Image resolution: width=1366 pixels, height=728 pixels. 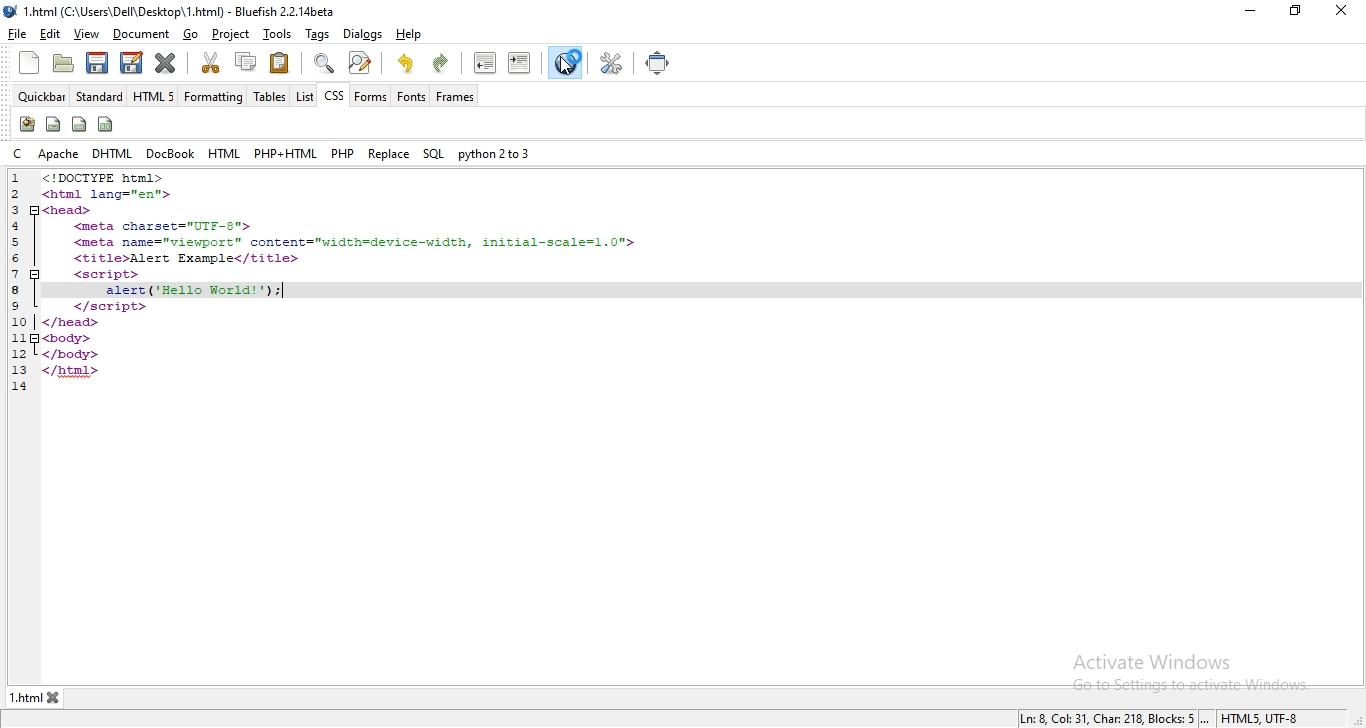 I want to click on edit, so click(x=133, y=63).